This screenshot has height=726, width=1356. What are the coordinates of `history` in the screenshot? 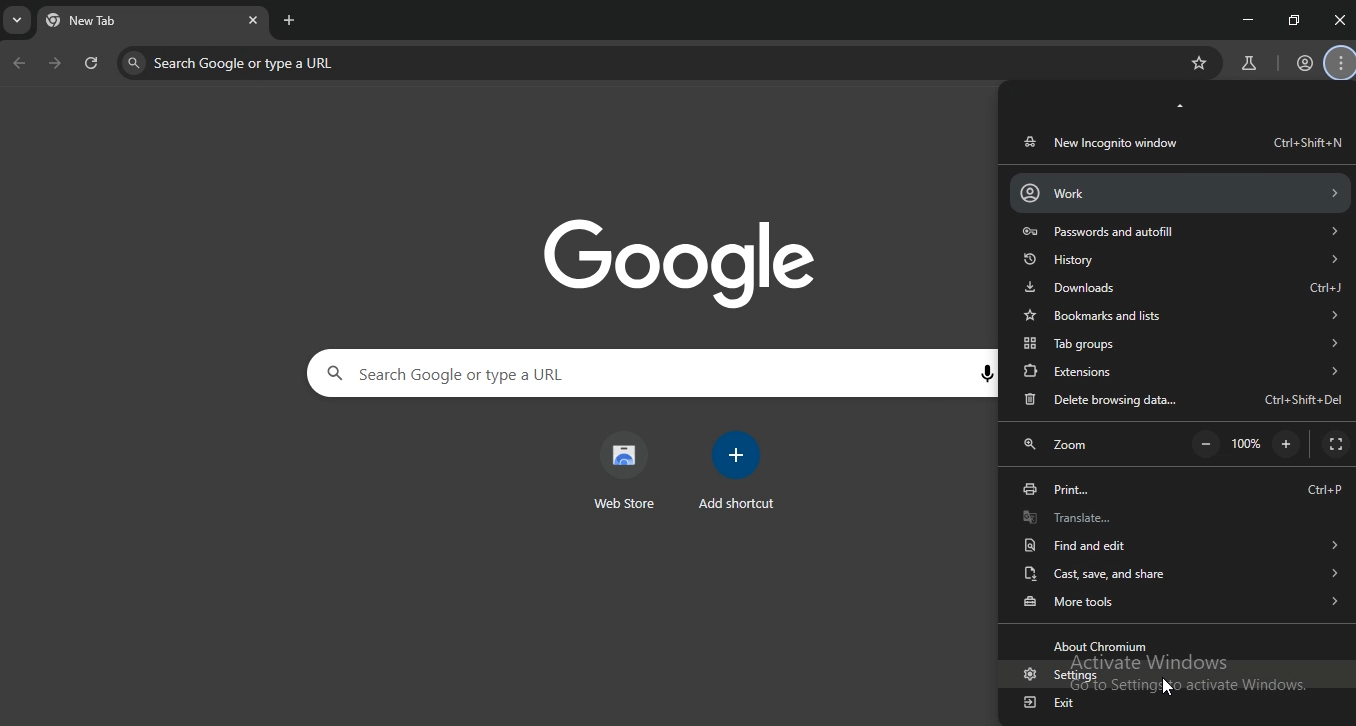 It's located at (1179, 258).